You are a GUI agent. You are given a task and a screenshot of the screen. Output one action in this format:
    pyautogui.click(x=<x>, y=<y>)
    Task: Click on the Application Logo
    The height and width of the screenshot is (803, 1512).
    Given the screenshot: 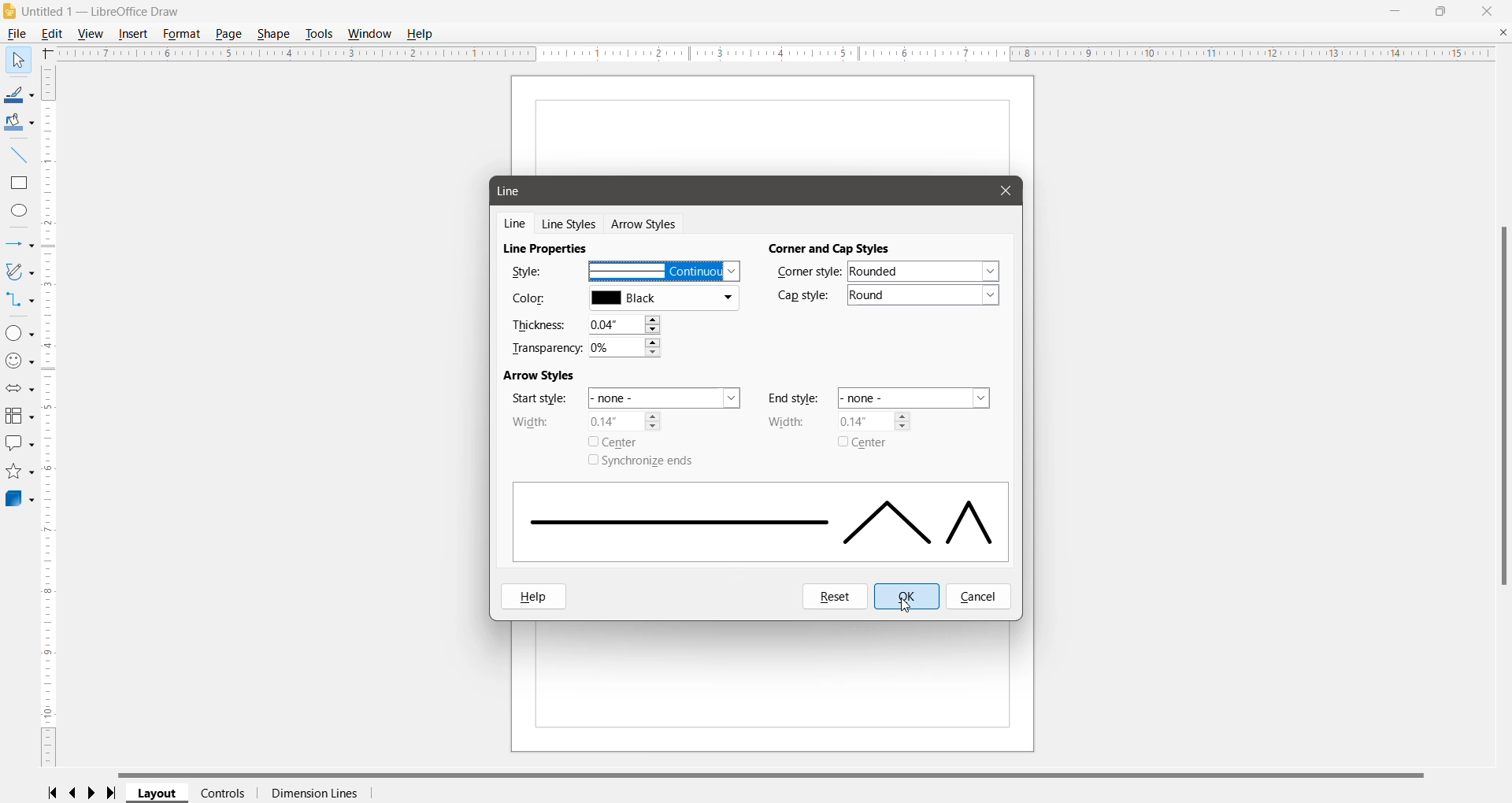 What is the action you would take?
    pyautogui.click(x=9, y=13)
    